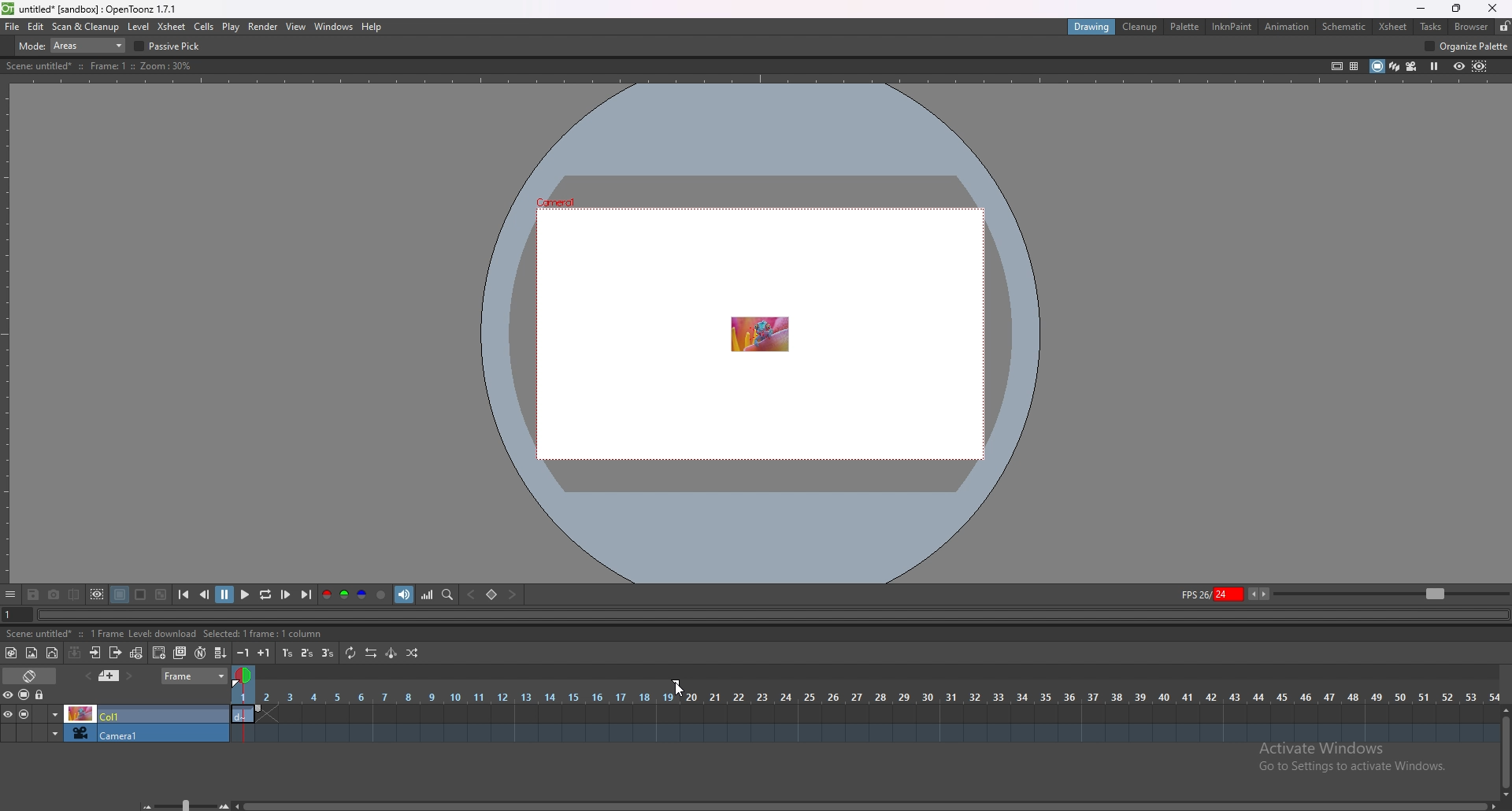 The image size is (1512, 811). I want to click on black background, so click(120, 595).